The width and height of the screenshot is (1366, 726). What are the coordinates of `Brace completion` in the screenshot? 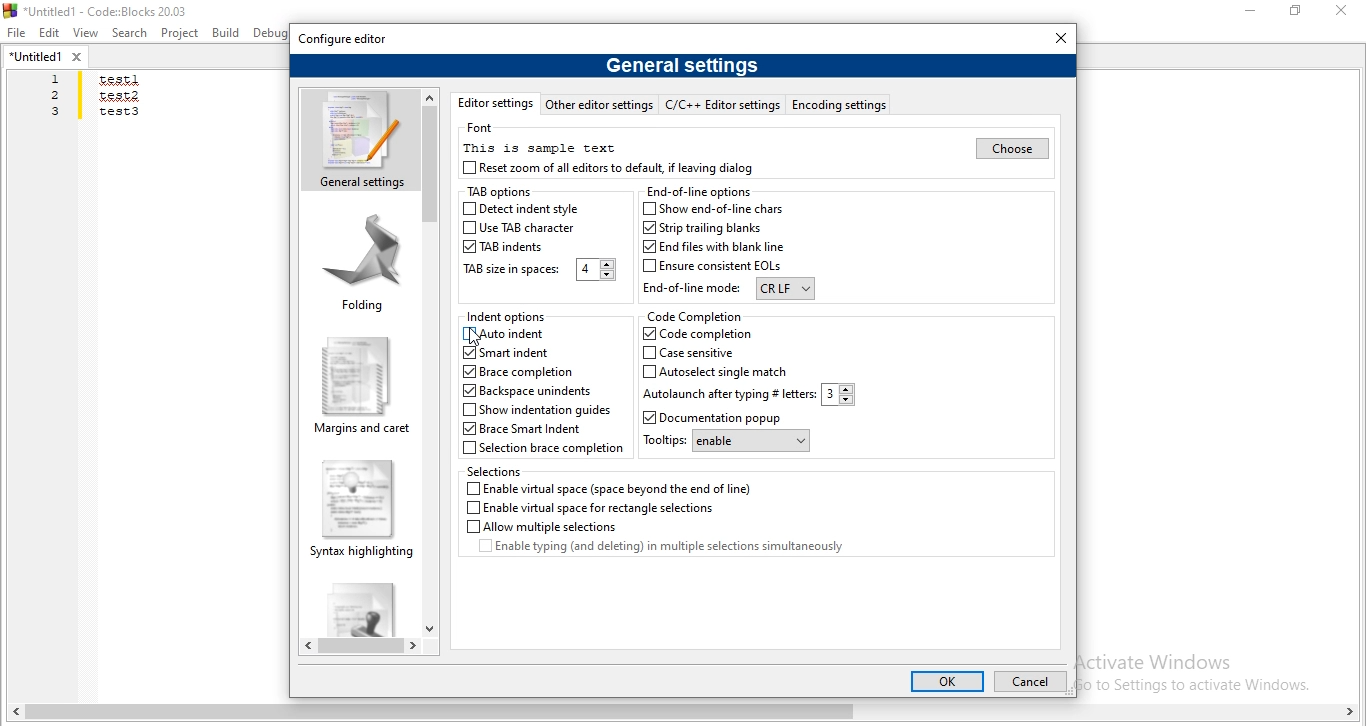 It's located at (520, 371).